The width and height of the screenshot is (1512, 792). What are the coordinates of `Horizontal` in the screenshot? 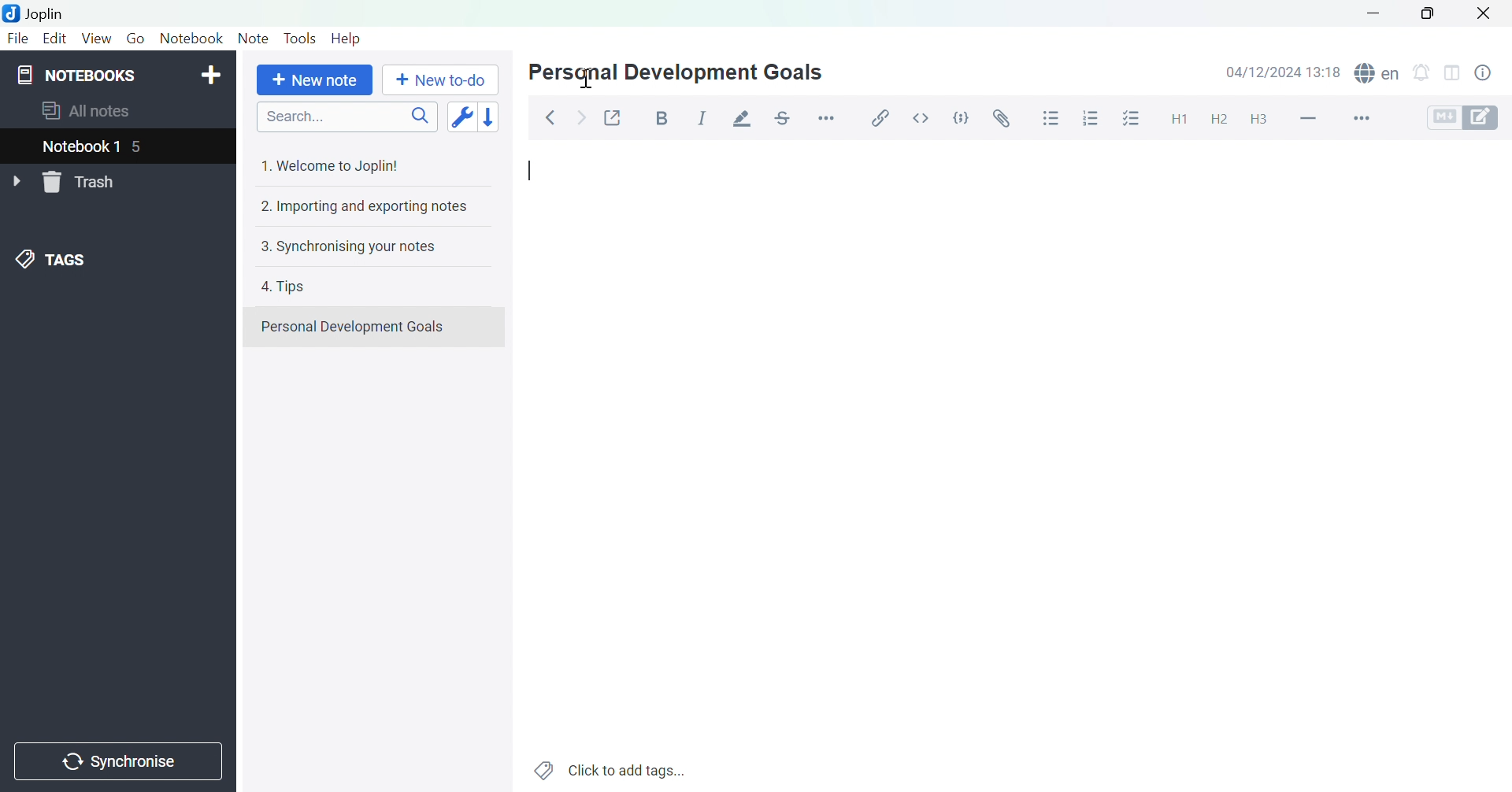 It's located at (828, 117).